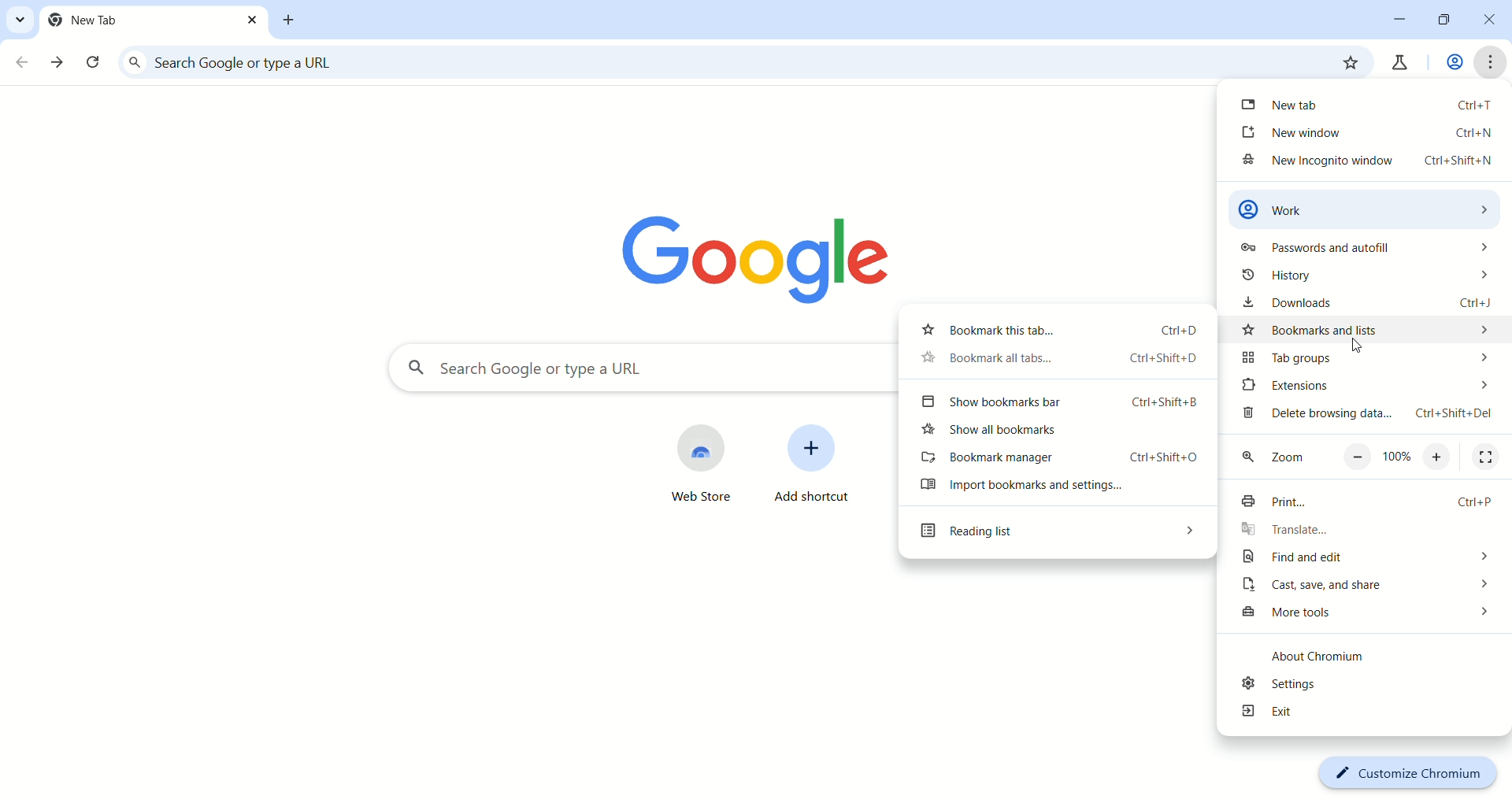 Image resolution: width=1512 pixels, height=803 pixels. What do you see at coordinates (1369, 459) in the screenshot?
I see `zoom` at bounding box center [1369, 459].